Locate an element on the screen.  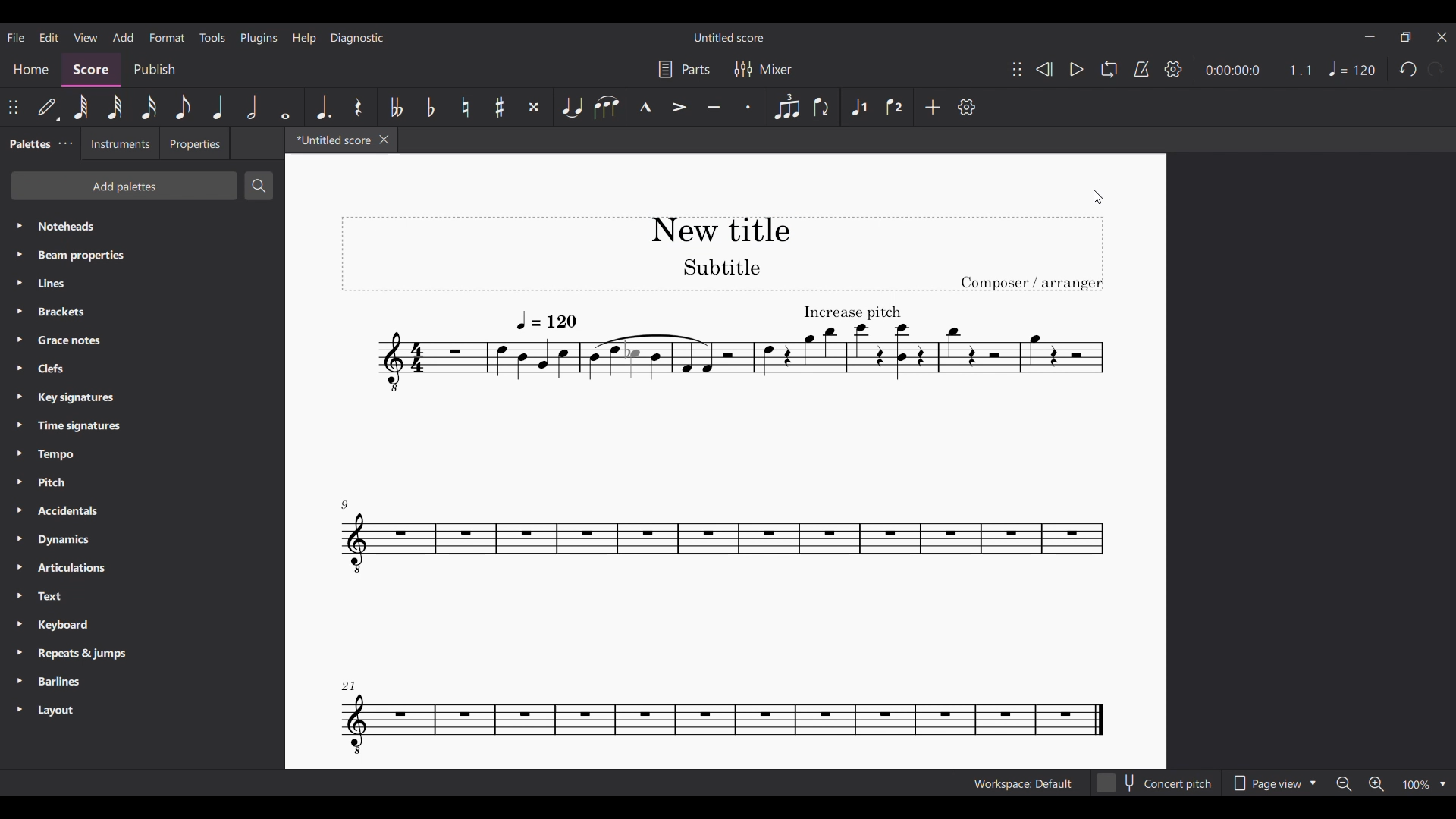
Toggle natural is located at coordinates (465, 107).